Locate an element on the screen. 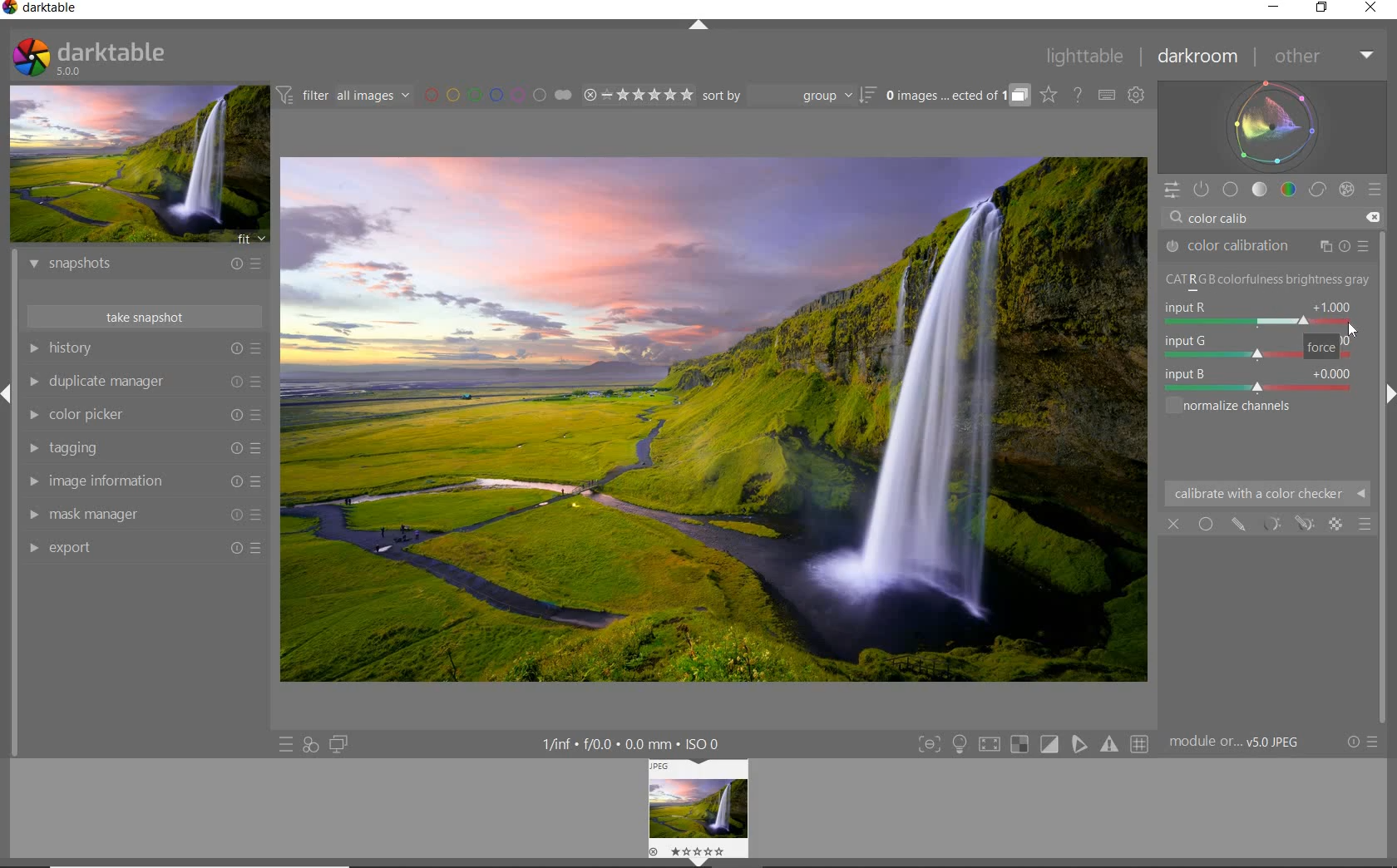 This screenshot has width=1397, height=868. Expand/Collapse is located at coordinates (8, 392).